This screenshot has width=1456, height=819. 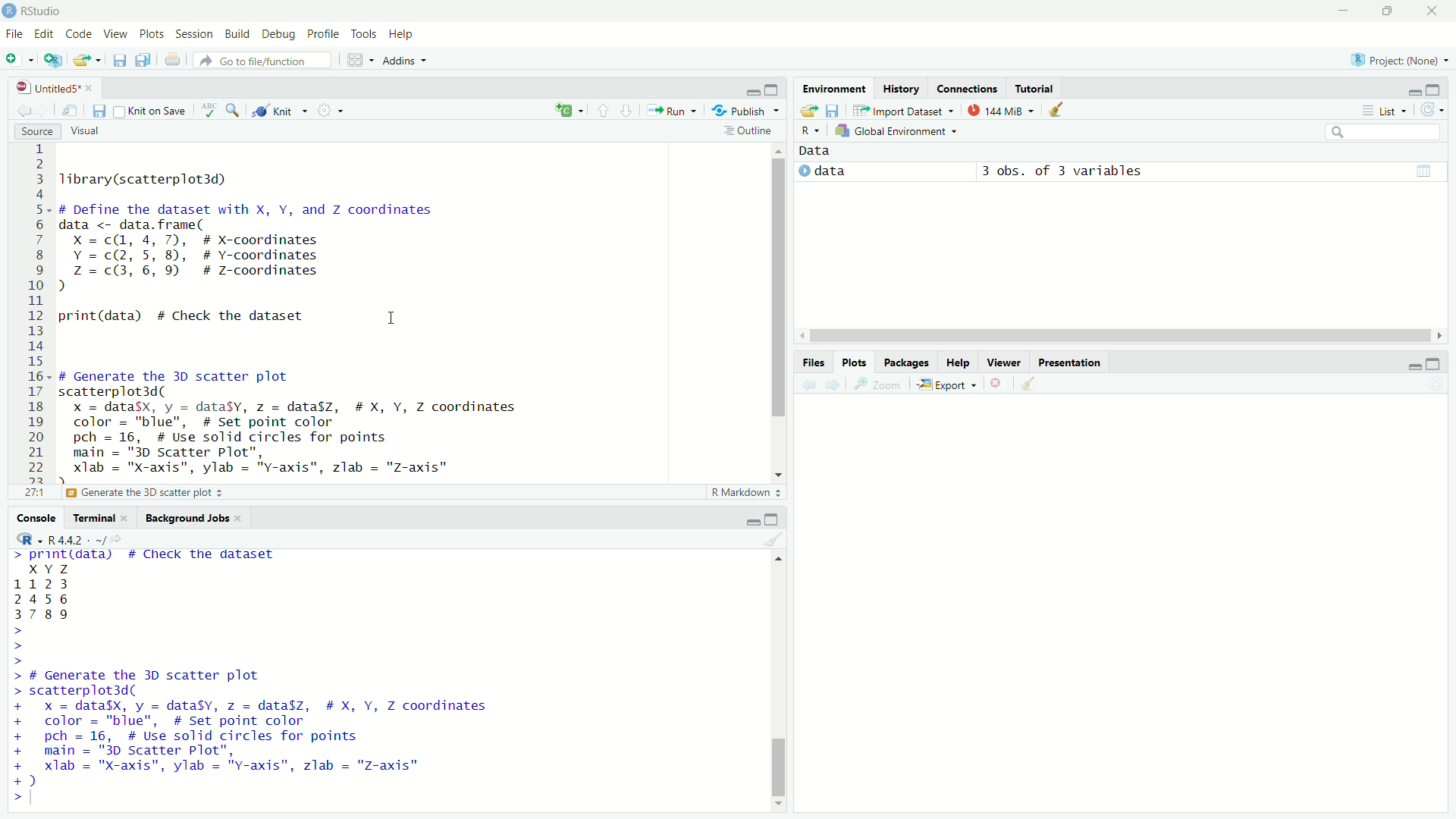 I want to click on scrollbar, so click(x=780, y=682).